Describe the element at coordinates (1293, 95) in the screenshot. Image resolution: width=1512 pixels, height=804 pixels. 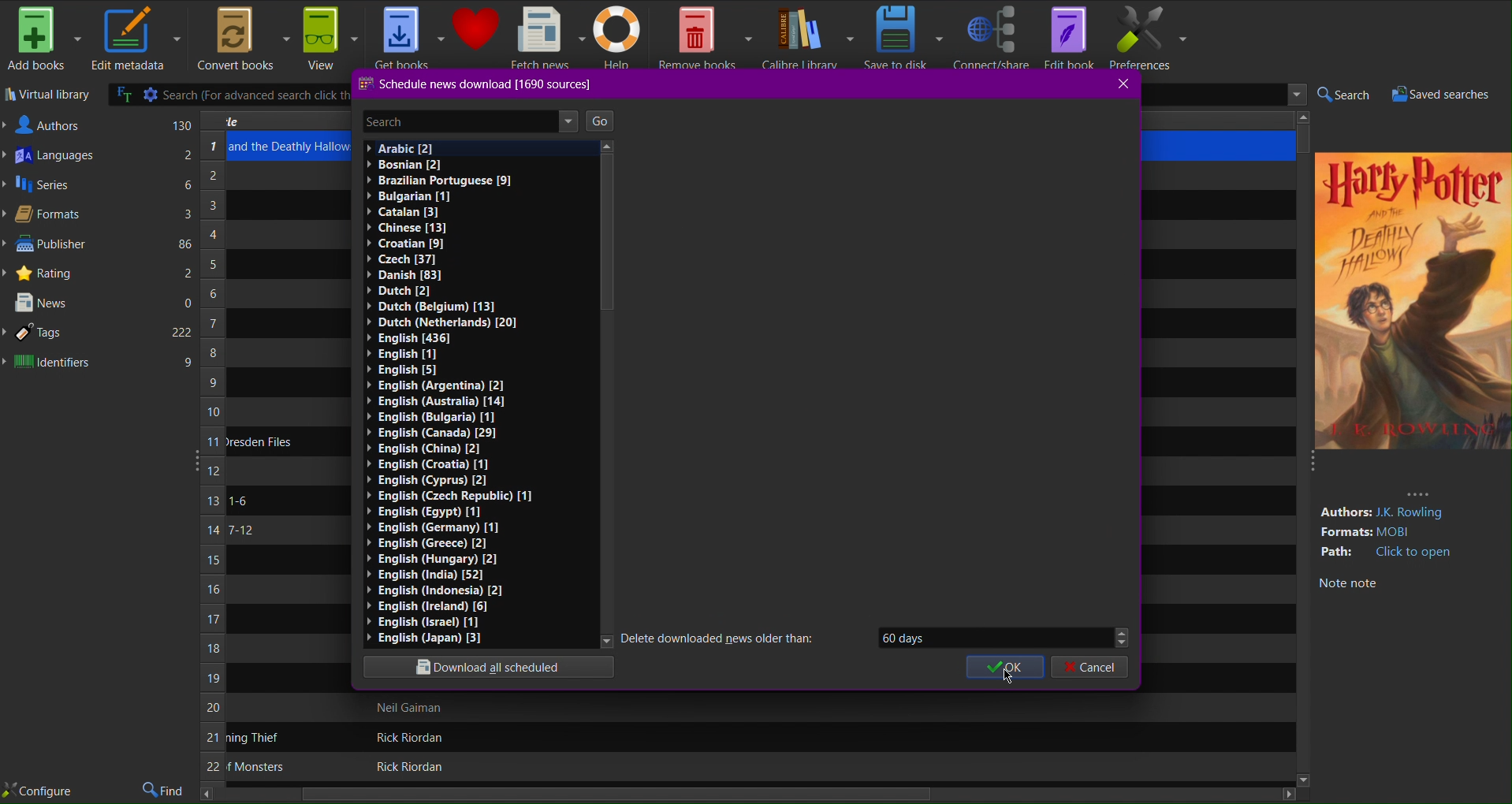
I see `Dropdown` at that location.